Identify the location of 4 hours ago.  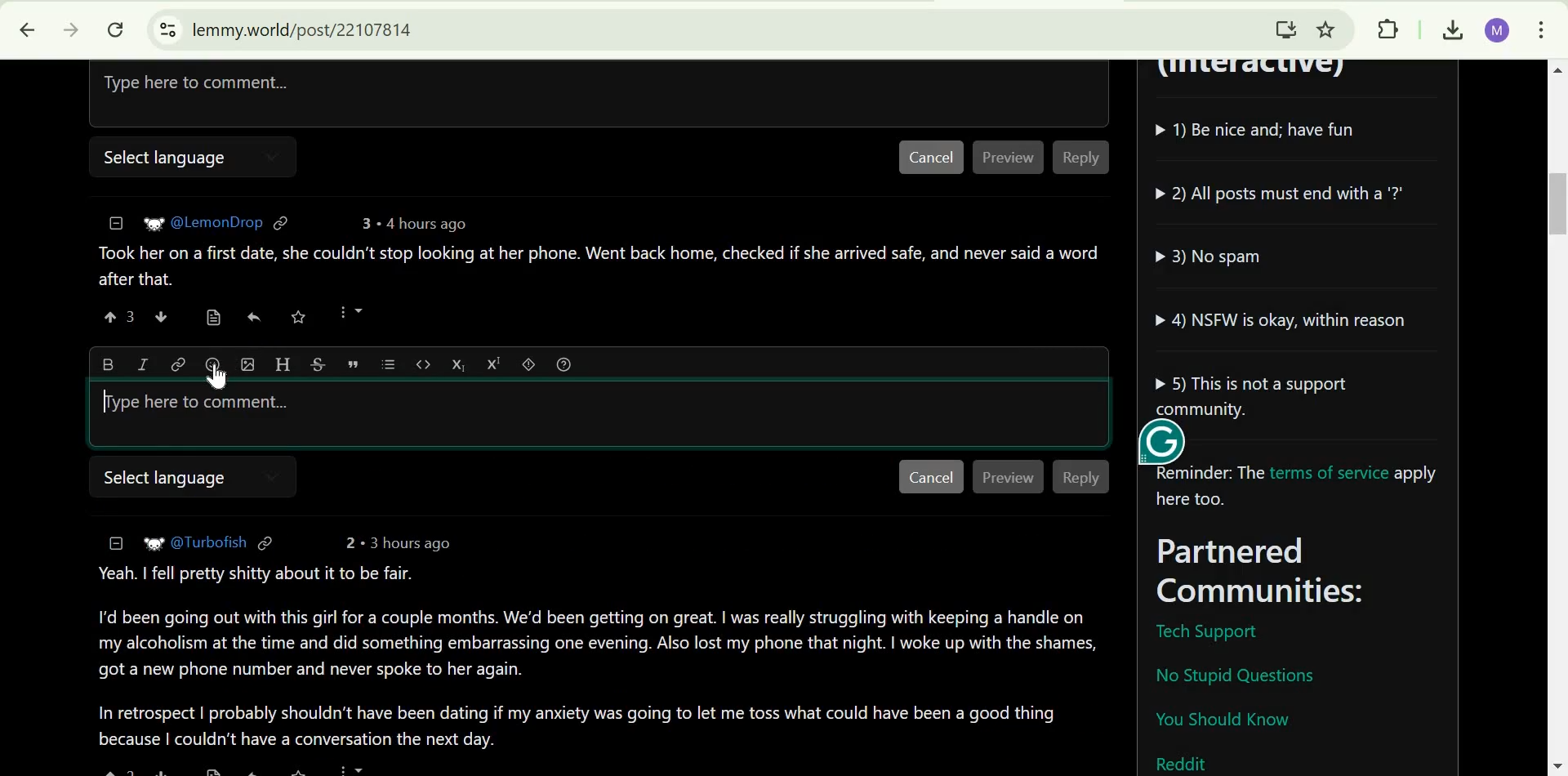
(421, 224).